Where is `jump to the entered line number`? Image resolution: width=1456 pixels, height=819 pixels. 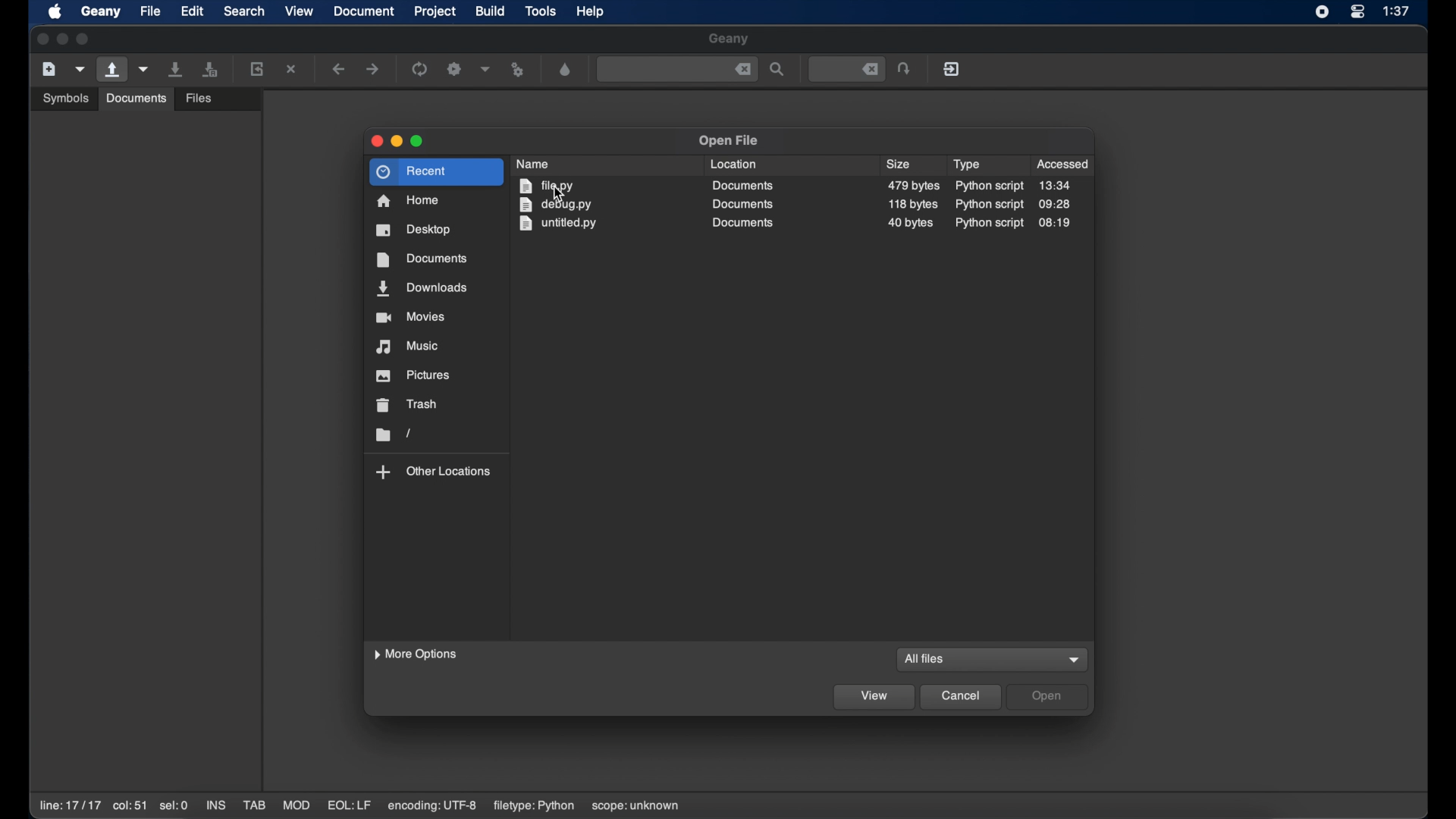
jump to the entered line number is located at coordinates (905, 68).